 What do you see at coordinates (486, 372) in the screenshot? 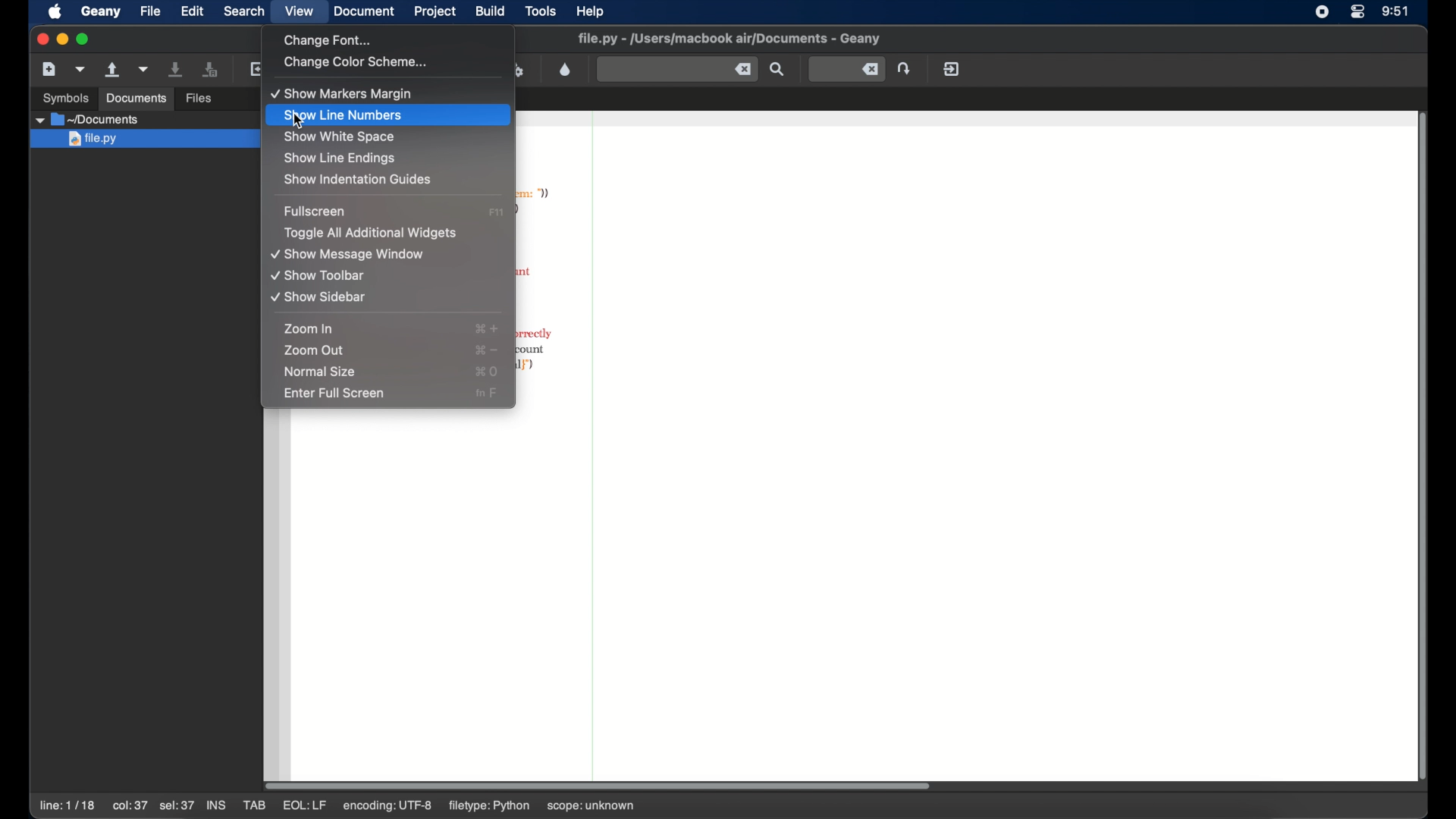
I see `normal size shortcut` at bounding box center [486, 372].